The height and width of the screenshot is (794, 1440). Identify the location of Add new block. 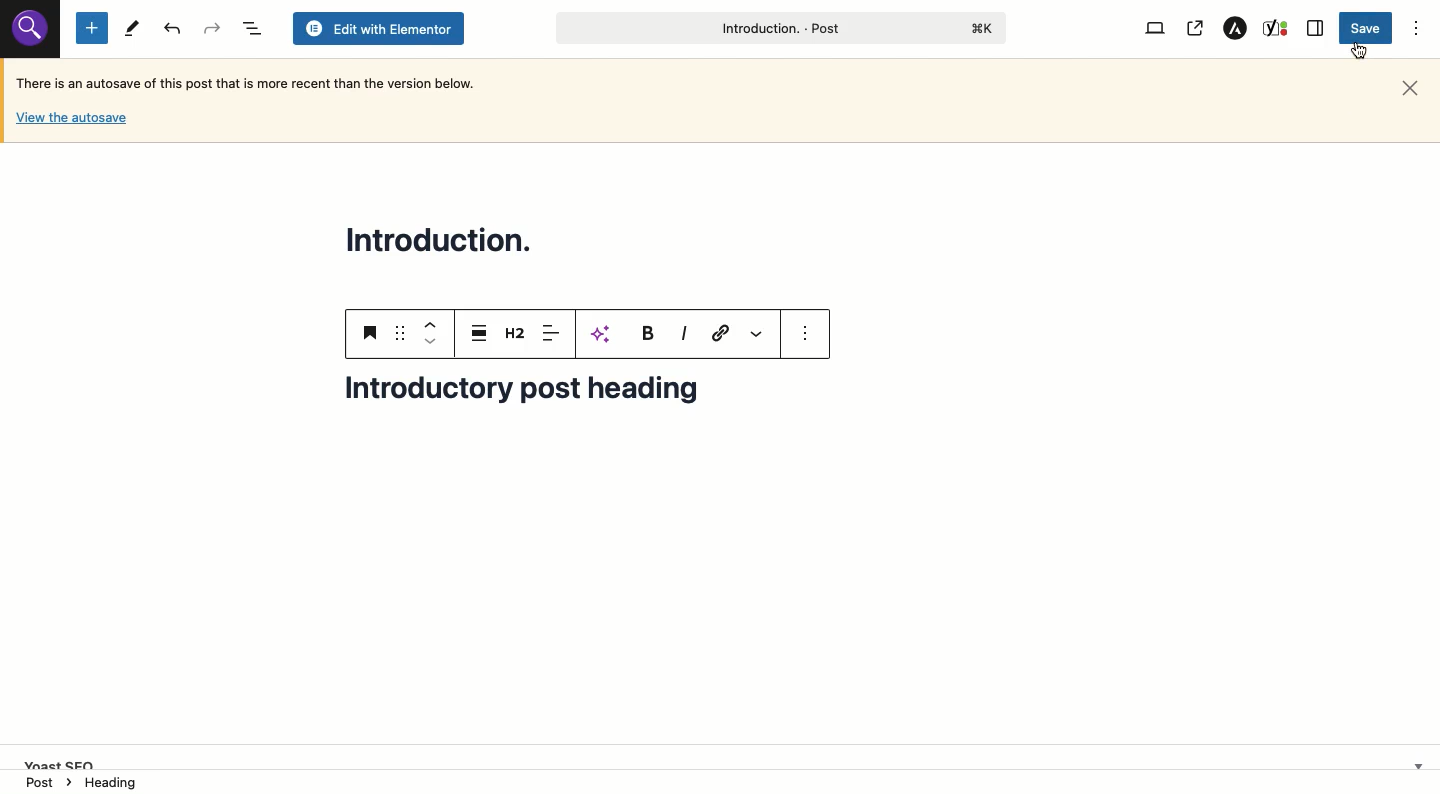
(92, 27).